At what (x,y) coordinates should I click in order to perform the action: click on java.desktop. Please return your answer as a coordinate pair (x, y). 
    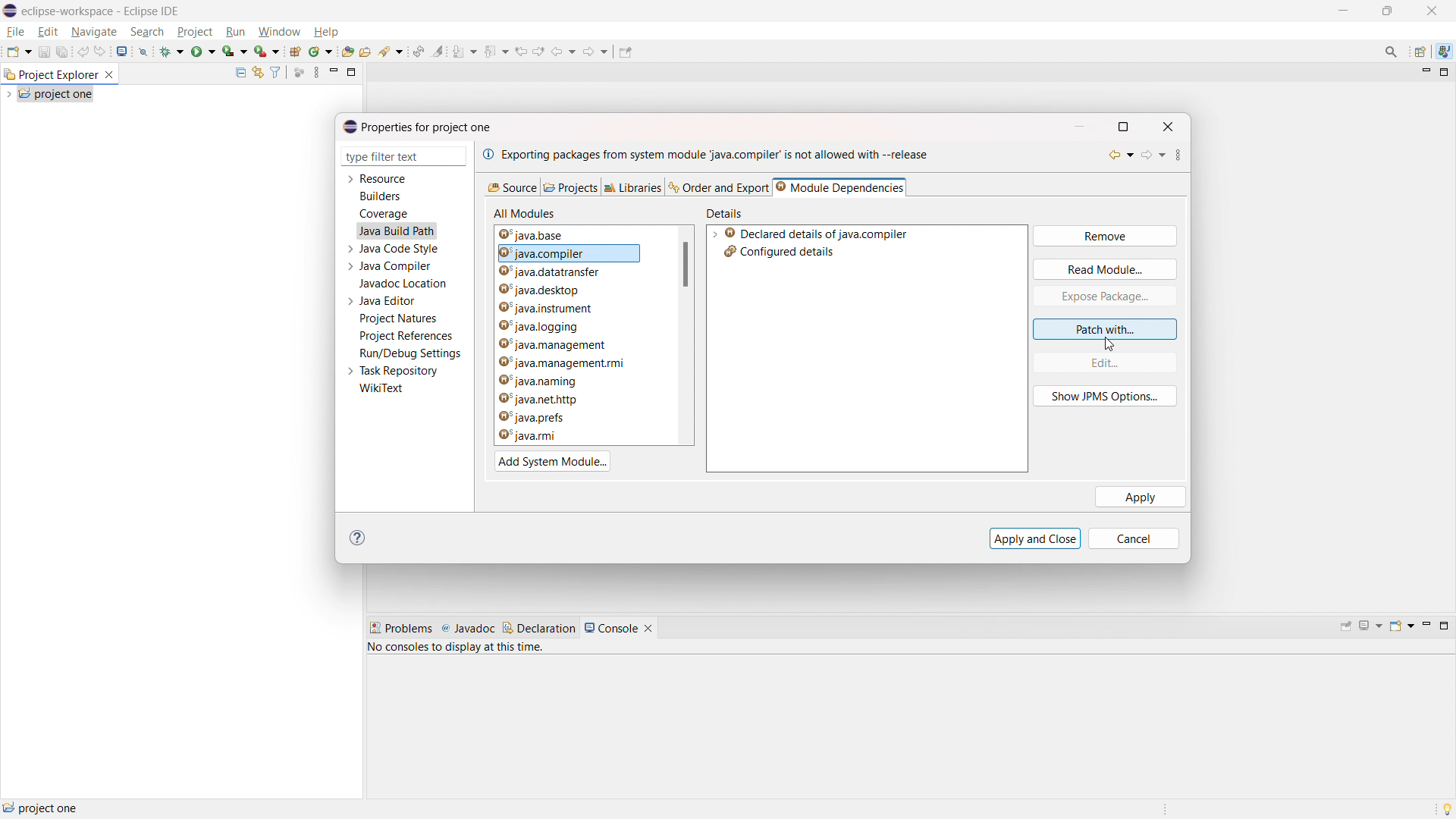
    Looking at the image, I should click on (579, 288).